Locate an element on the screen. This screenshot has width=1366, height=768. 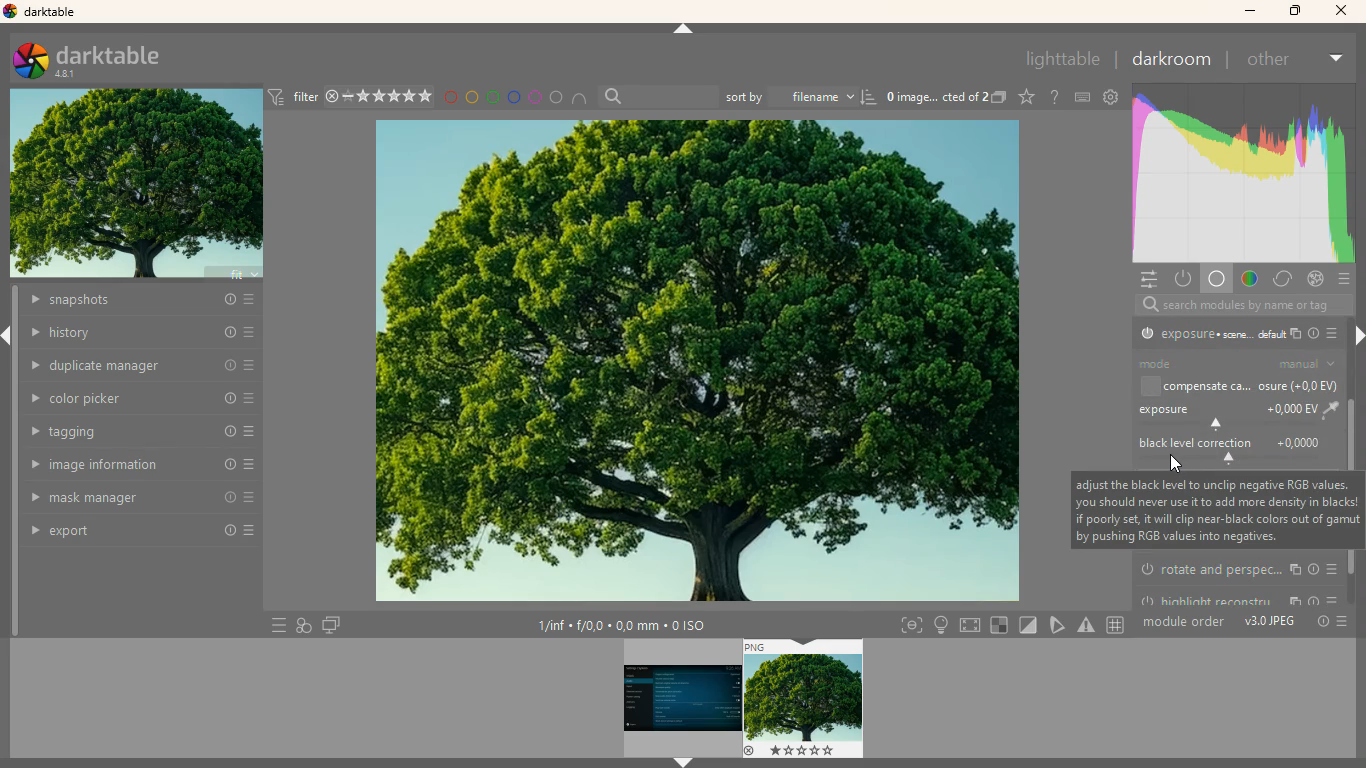
lighttable is located at coordinates (1063, 59).